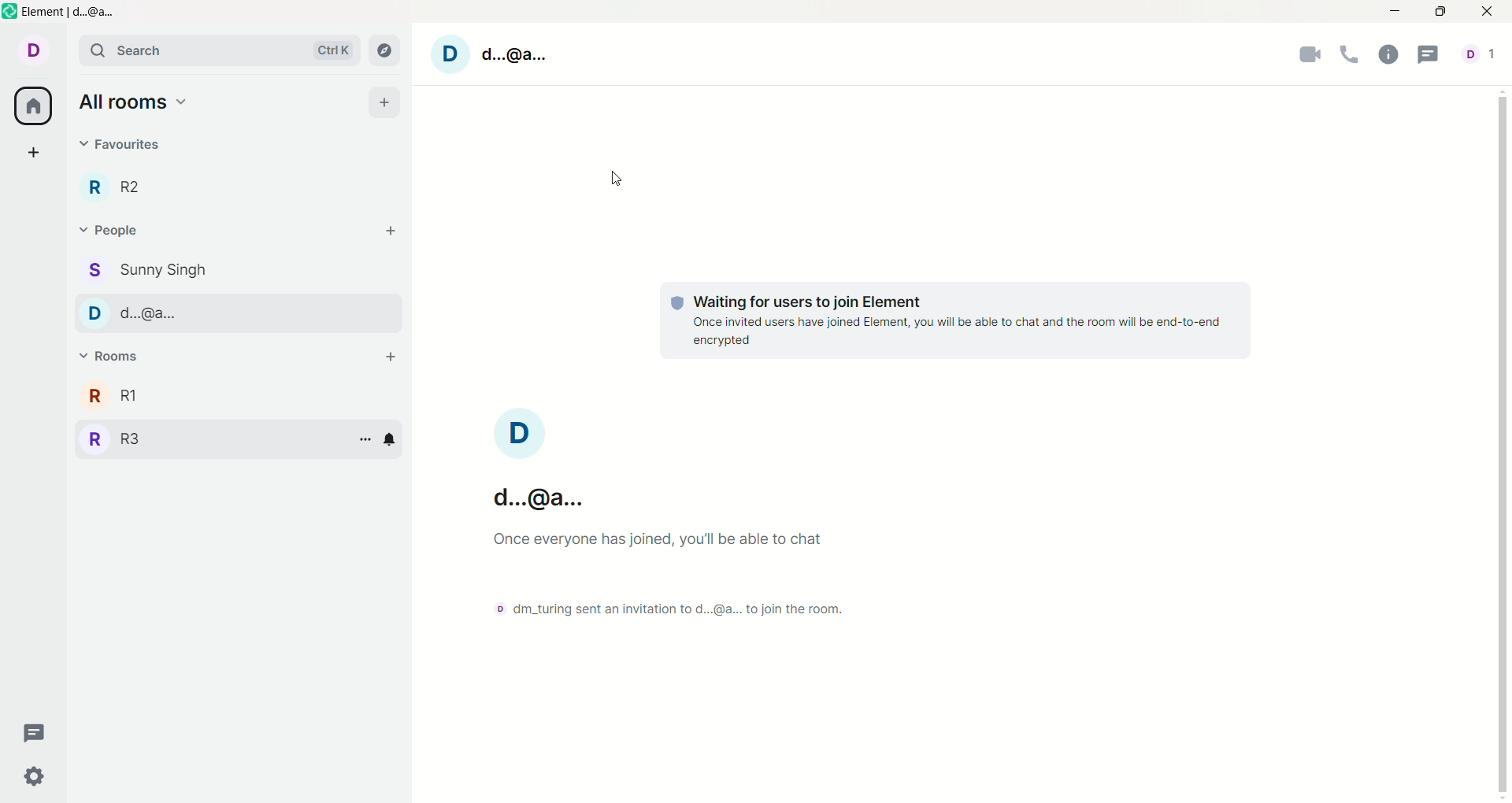  What do you see at coordinates (673, 574) in the screenshot?
I see `text` at bounding box center [673, 574].